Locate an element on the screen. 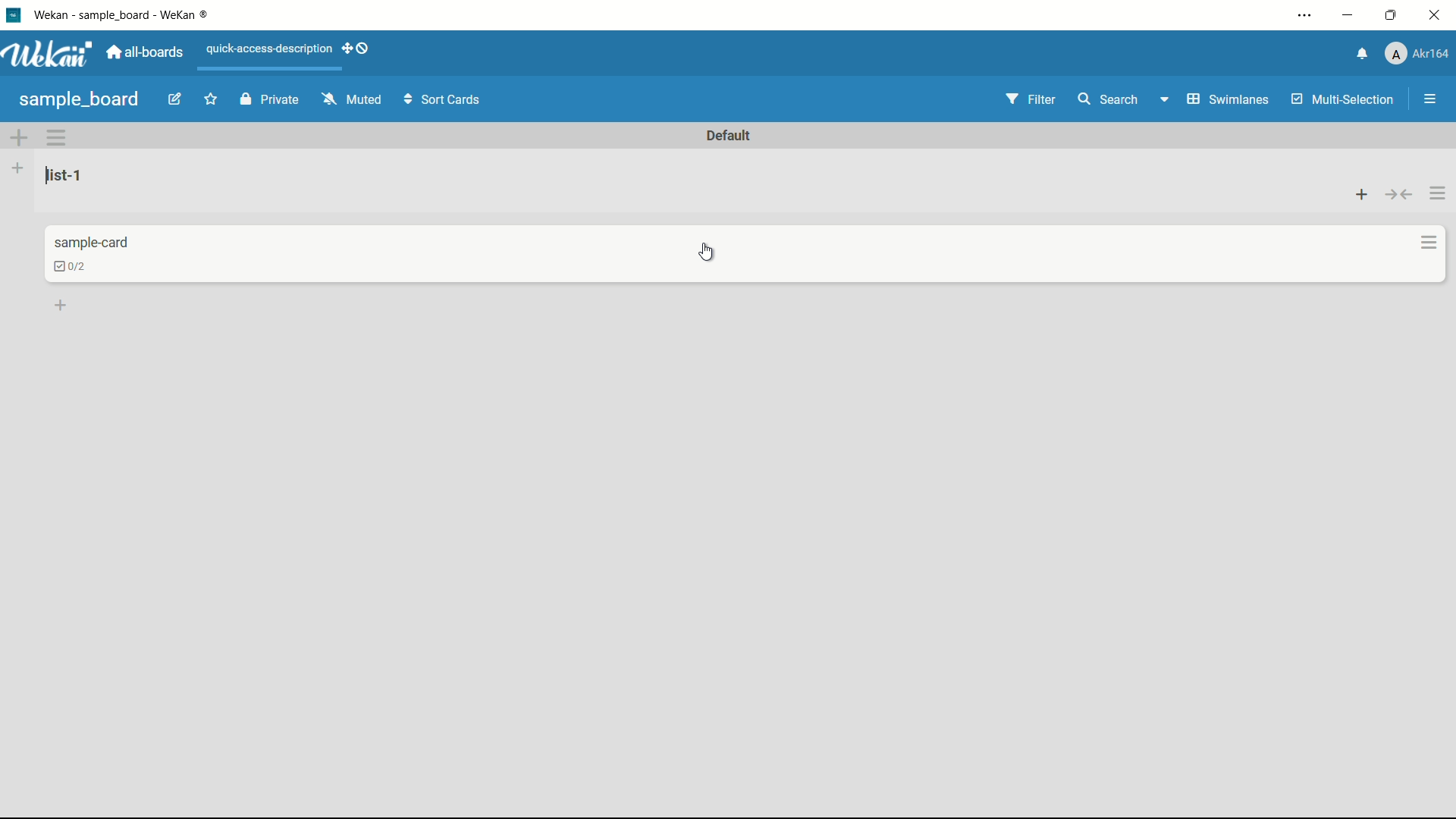  sample board is located at coordinates (79, 99).